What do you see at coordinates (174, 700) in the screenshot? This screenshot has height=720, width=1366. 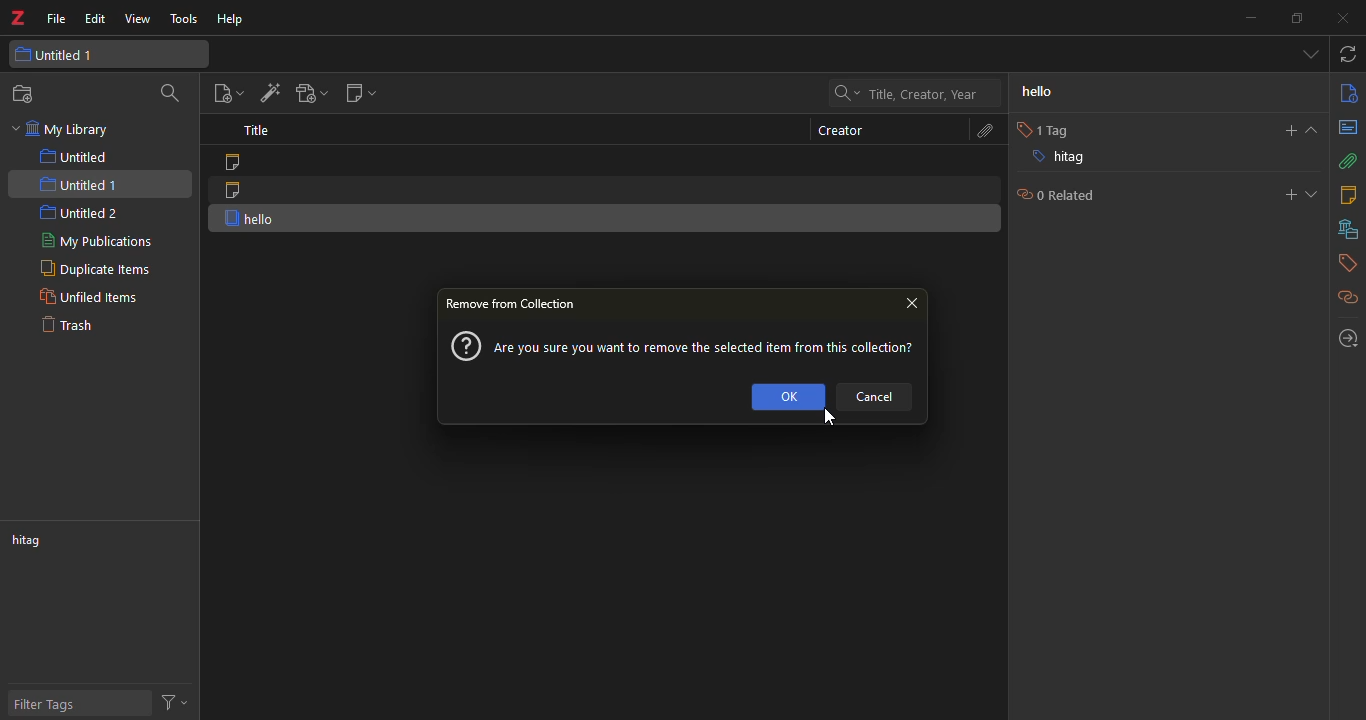 I see `actions` at bounding box center [174, 700].